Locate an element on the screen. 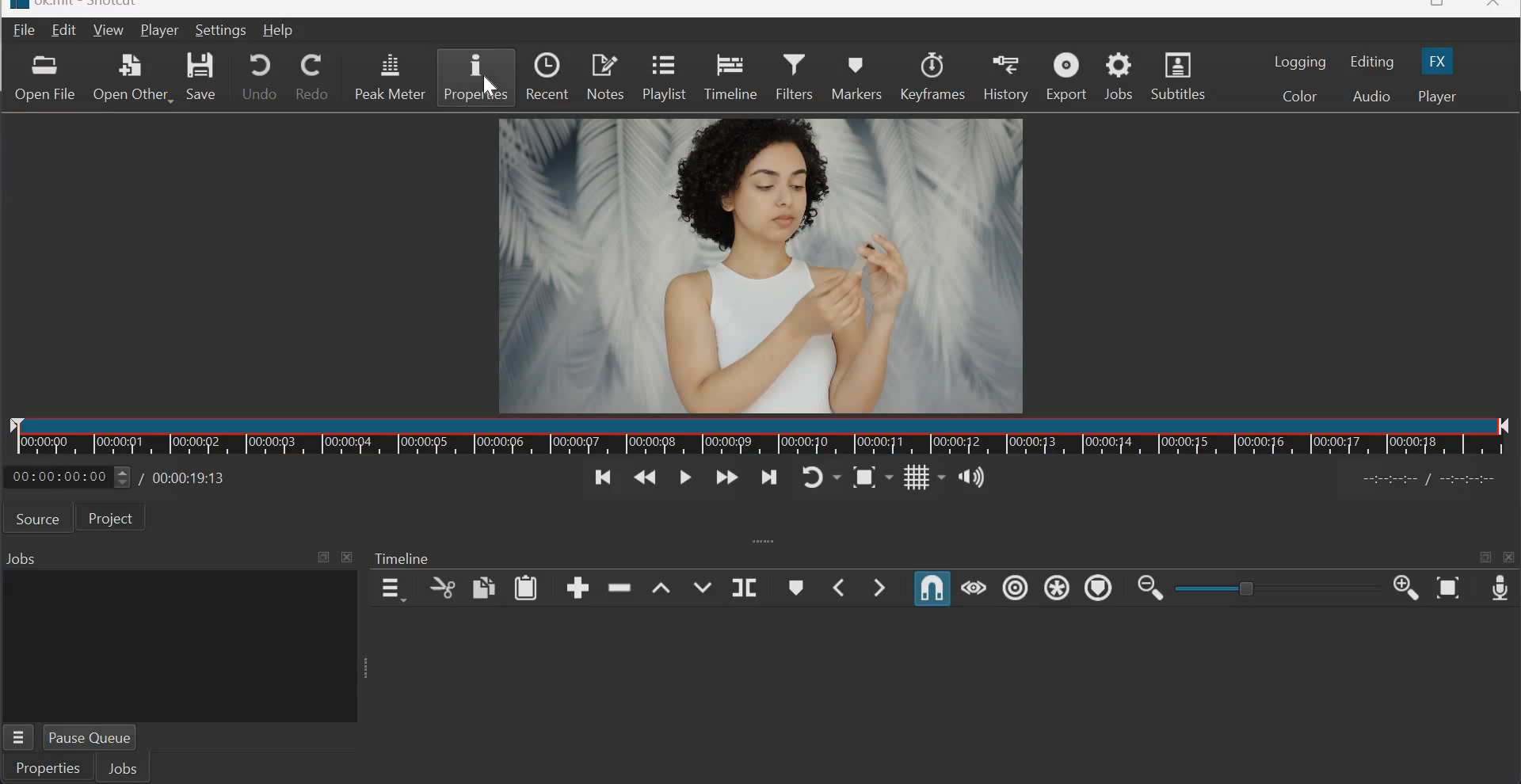 The width and height of the screenshot is (1521, 784). Playlist is located at coordinates (662, 79).